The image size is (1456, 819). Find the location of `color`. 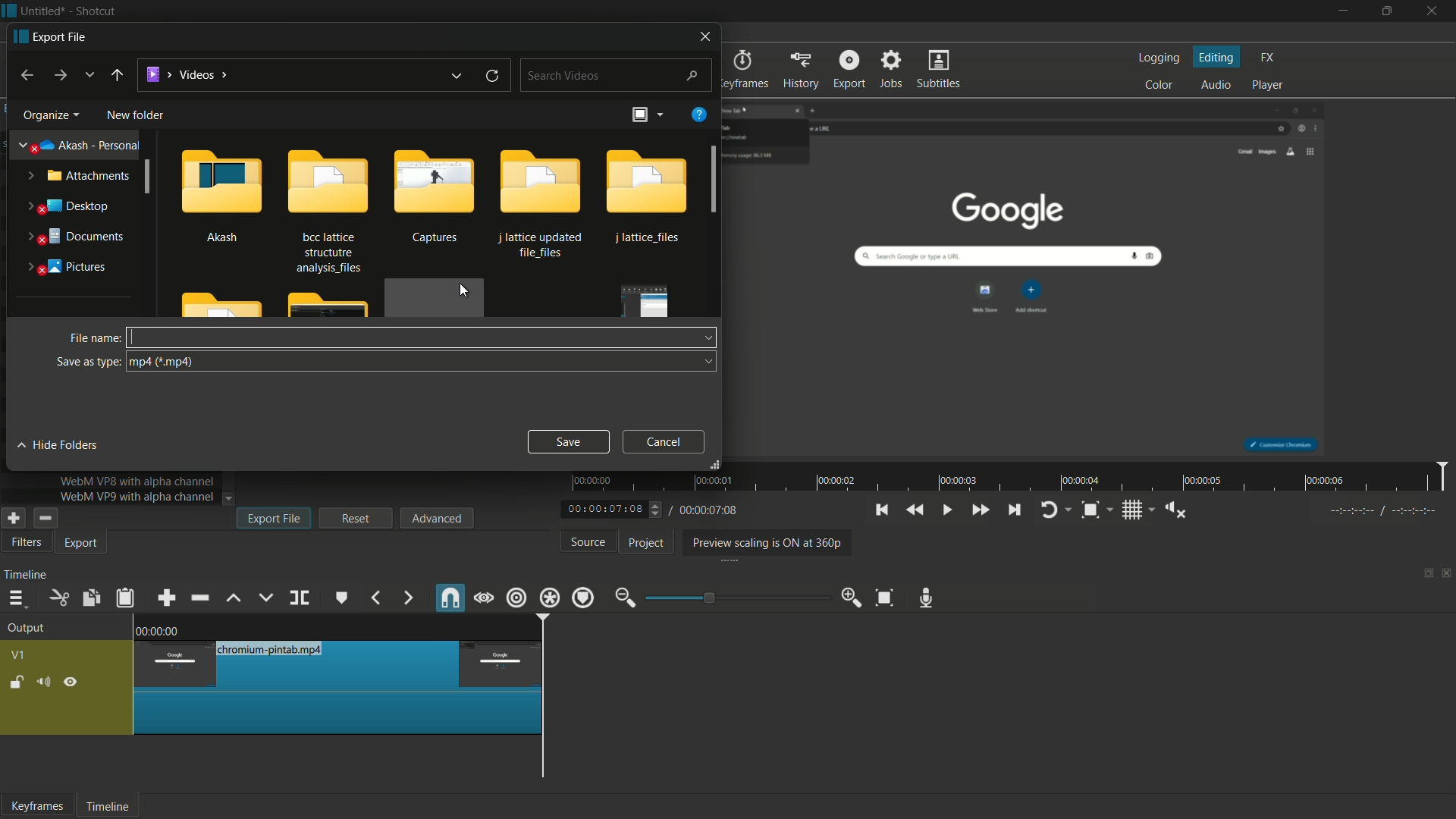

color is located at coordinates (1161, 84).